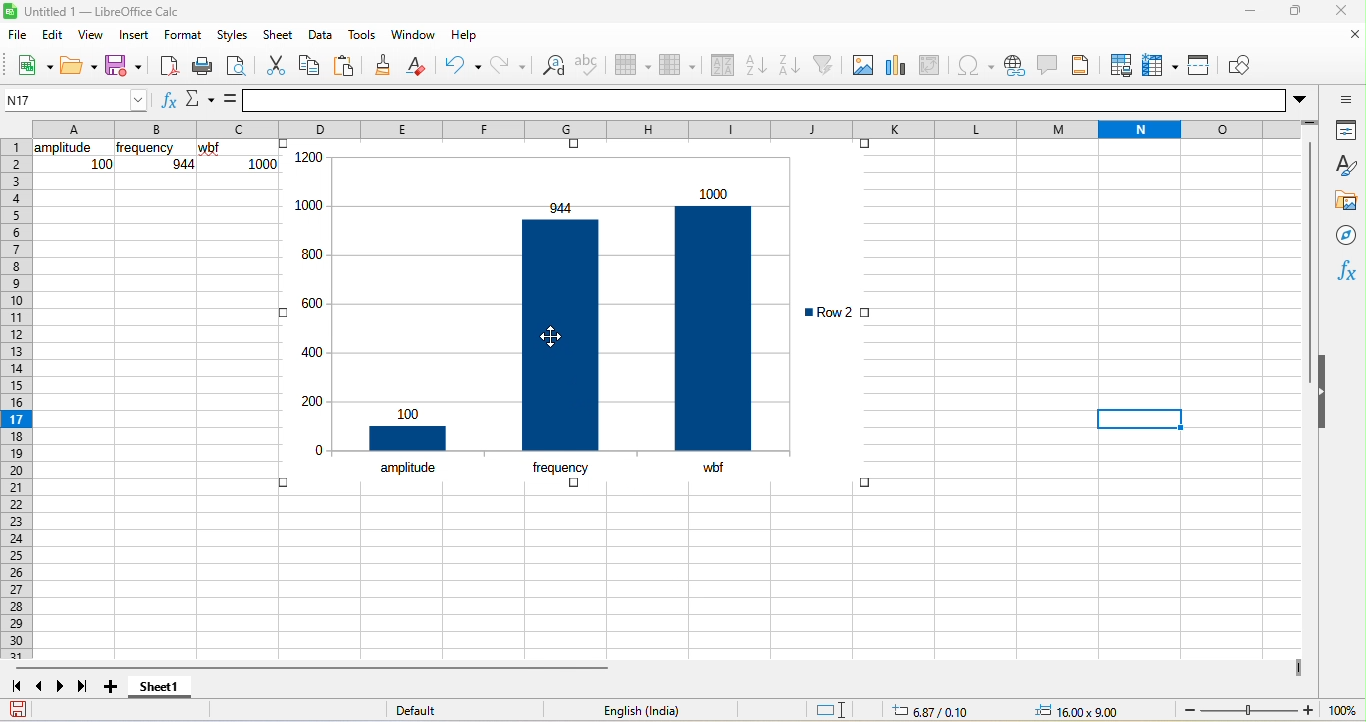 This screenshot has height=722, width=1366. I want to click on last sheet, so click(86, 688).